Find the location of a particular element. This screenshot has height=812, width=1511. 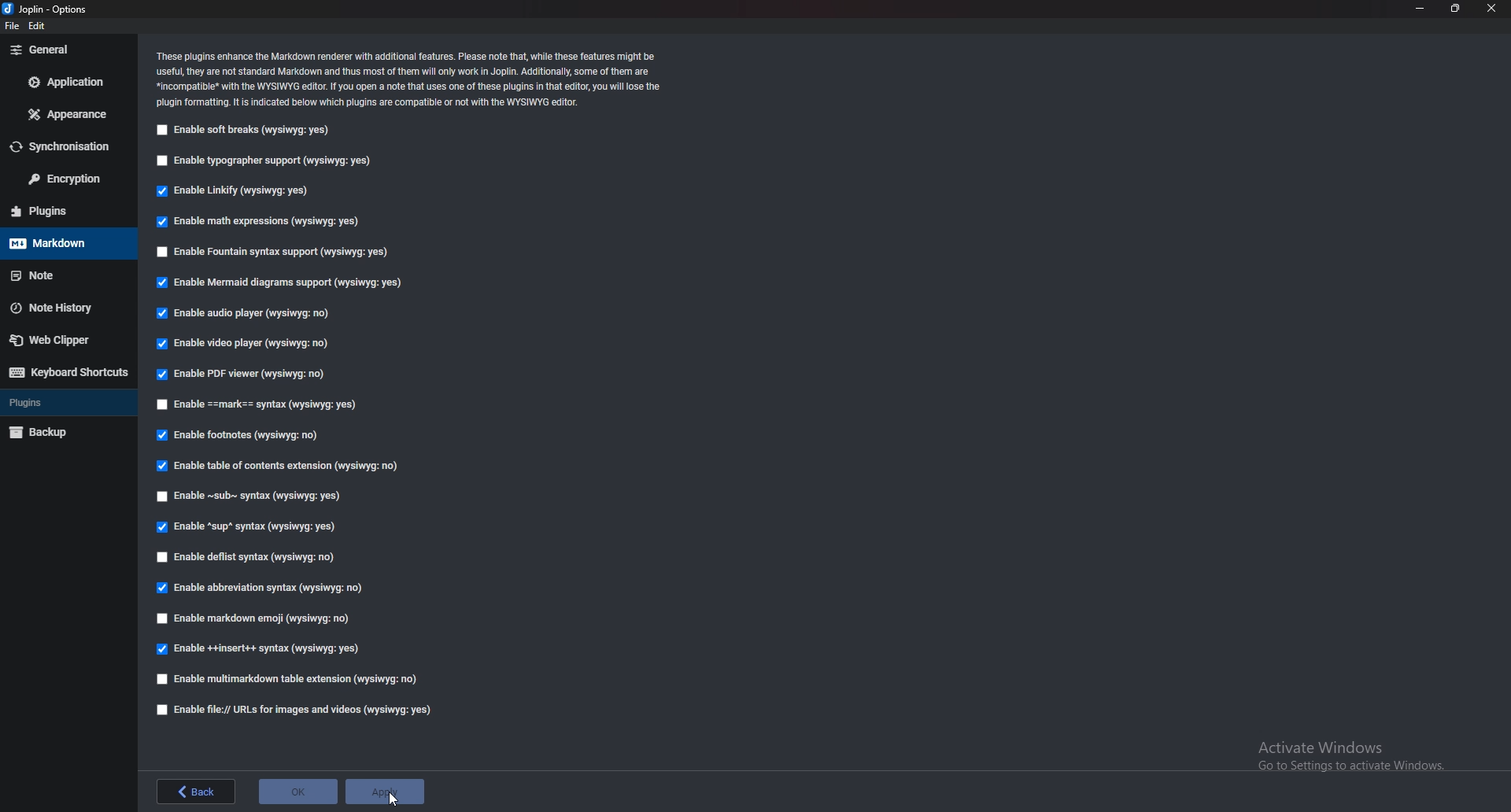

Enable audio player is located at coordinates (246, 316).